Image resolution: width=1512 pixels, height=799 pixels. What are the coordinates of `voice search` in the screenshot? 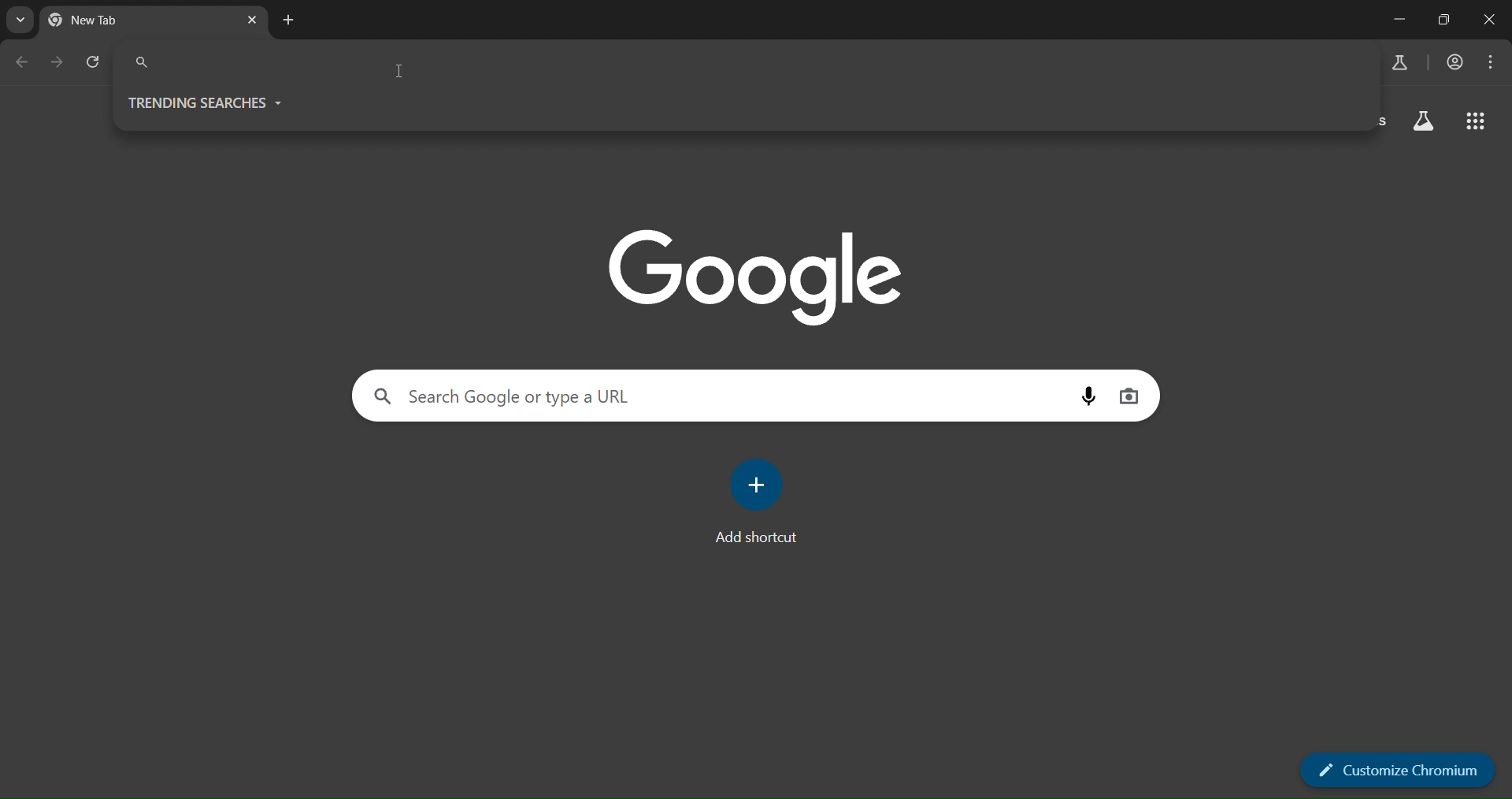 It's located at (1092, 396).